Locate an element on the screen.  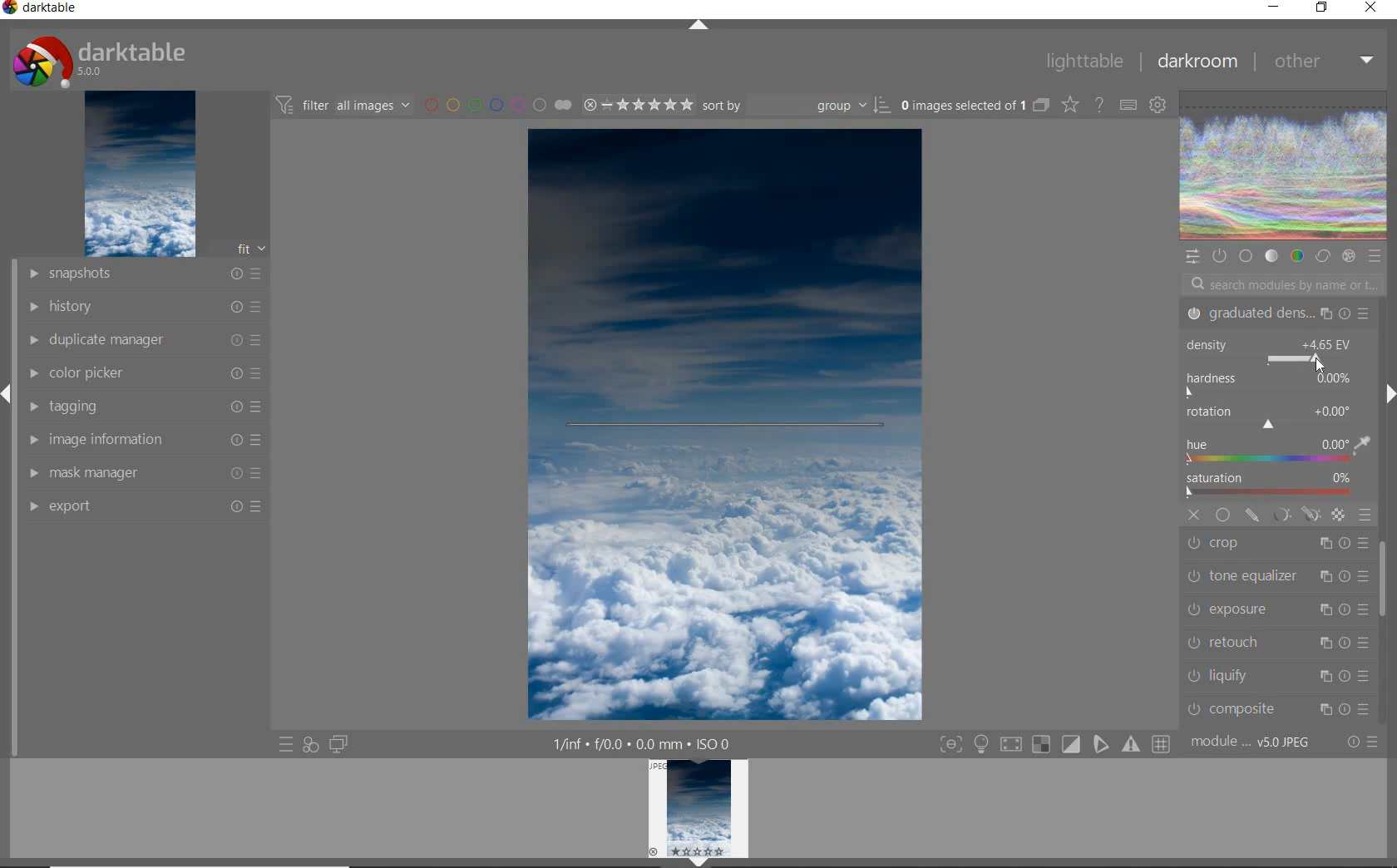
COLOR PICKER is located at coordinates (146, 374).